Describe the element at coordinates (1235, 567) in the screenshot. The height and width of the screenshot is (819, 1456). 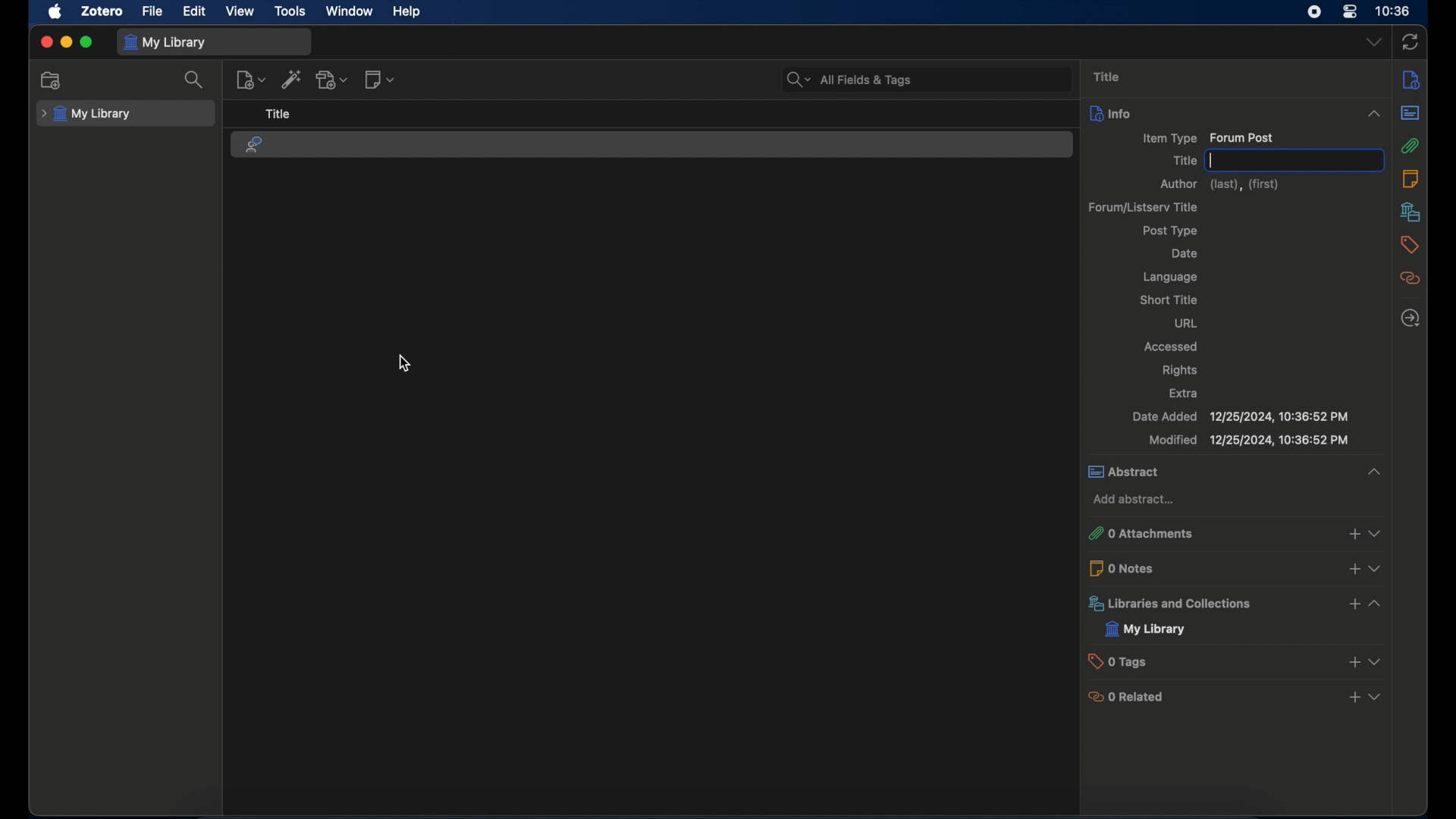
I see `0 notes` at that location.